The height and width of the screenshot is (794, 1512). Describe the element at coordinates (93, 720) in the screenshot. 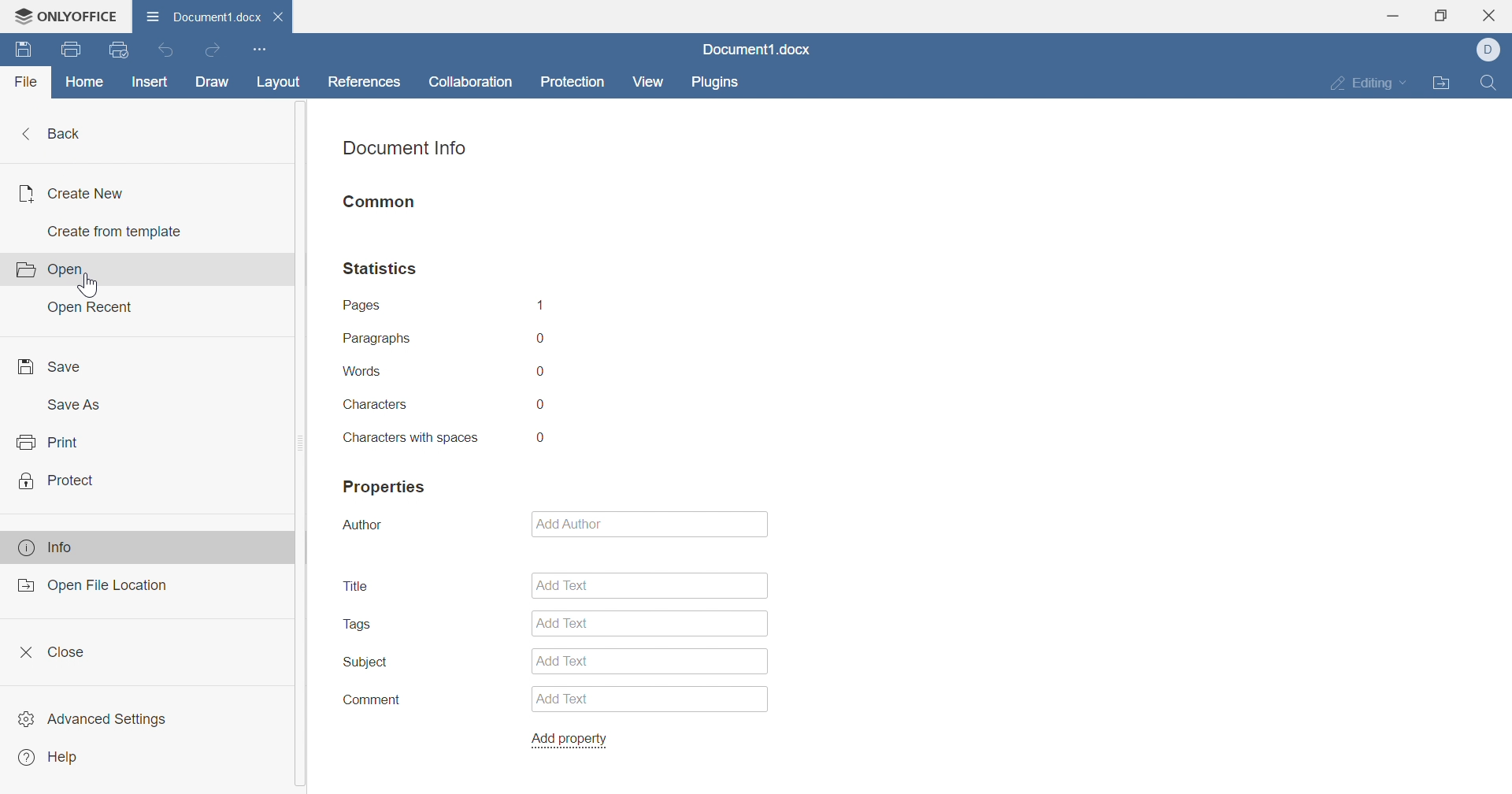

I see `advanced settings` at that location.